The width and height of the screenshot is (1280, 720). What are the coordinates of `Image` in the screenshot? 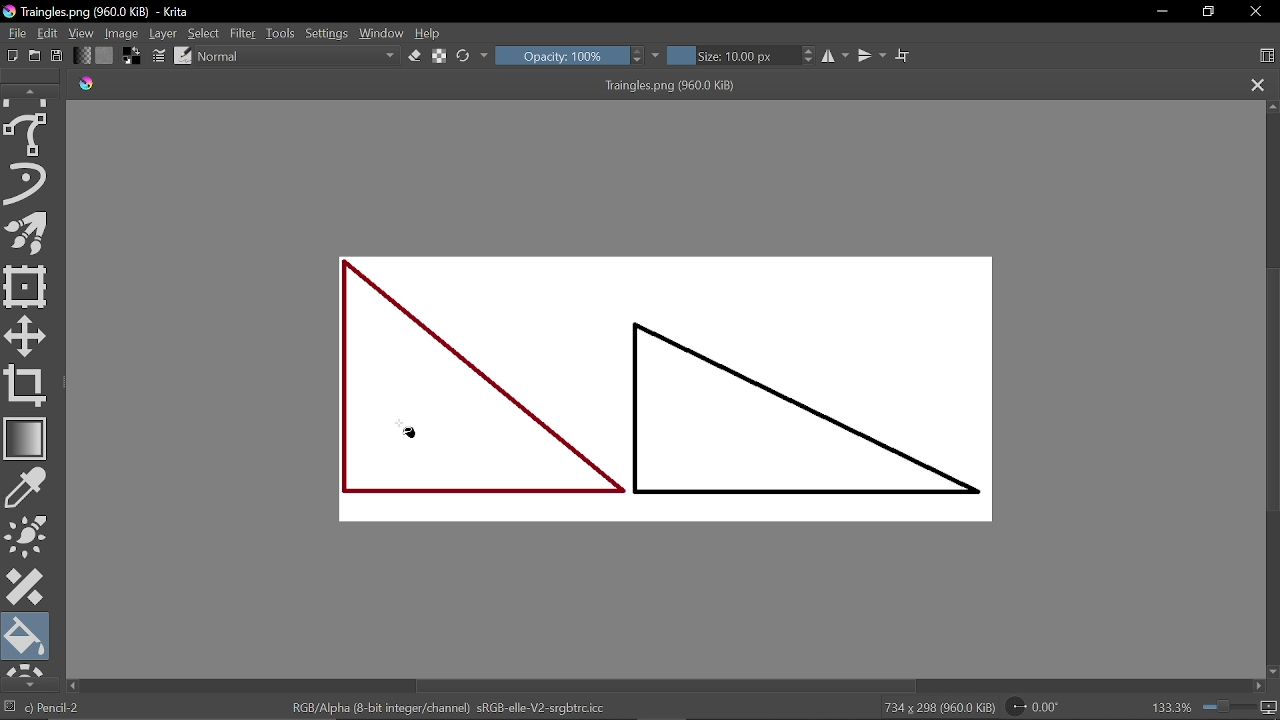 It's located at (123, 35).